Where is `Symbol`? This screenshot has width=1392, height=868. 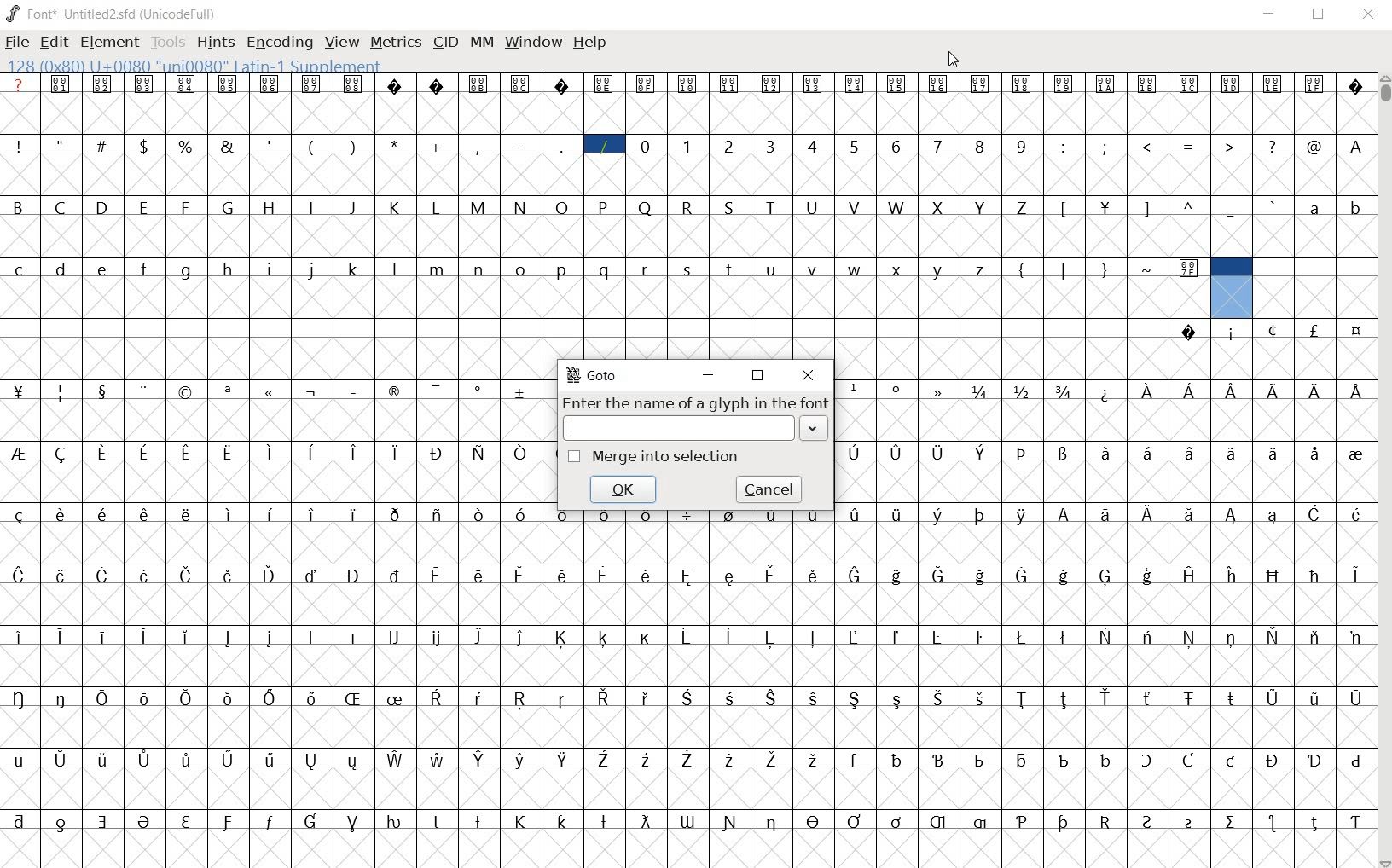
Symbol is located at coordinates (19, 516).